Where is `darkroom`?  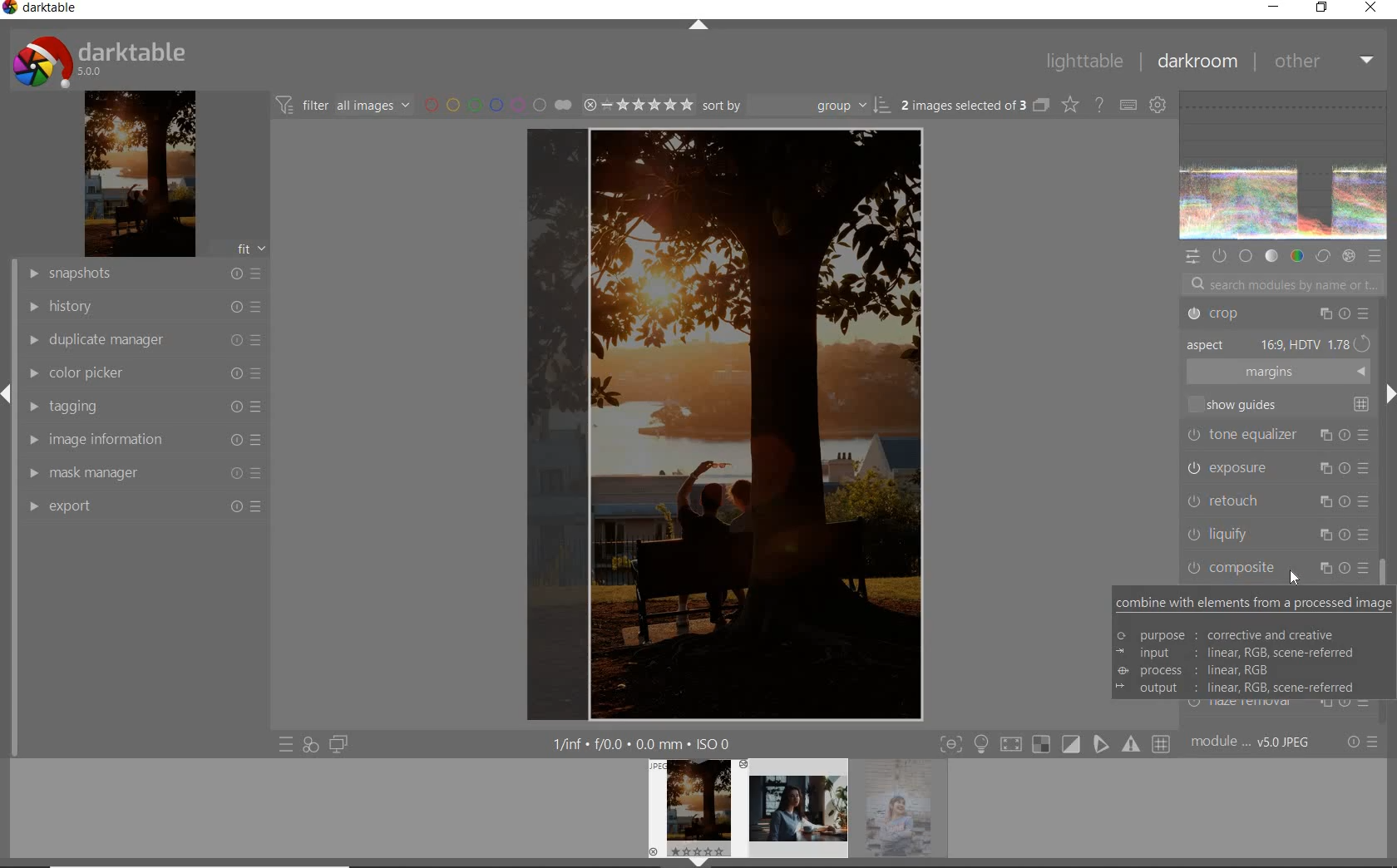
darkroom is located at coordinates (1197, 62).